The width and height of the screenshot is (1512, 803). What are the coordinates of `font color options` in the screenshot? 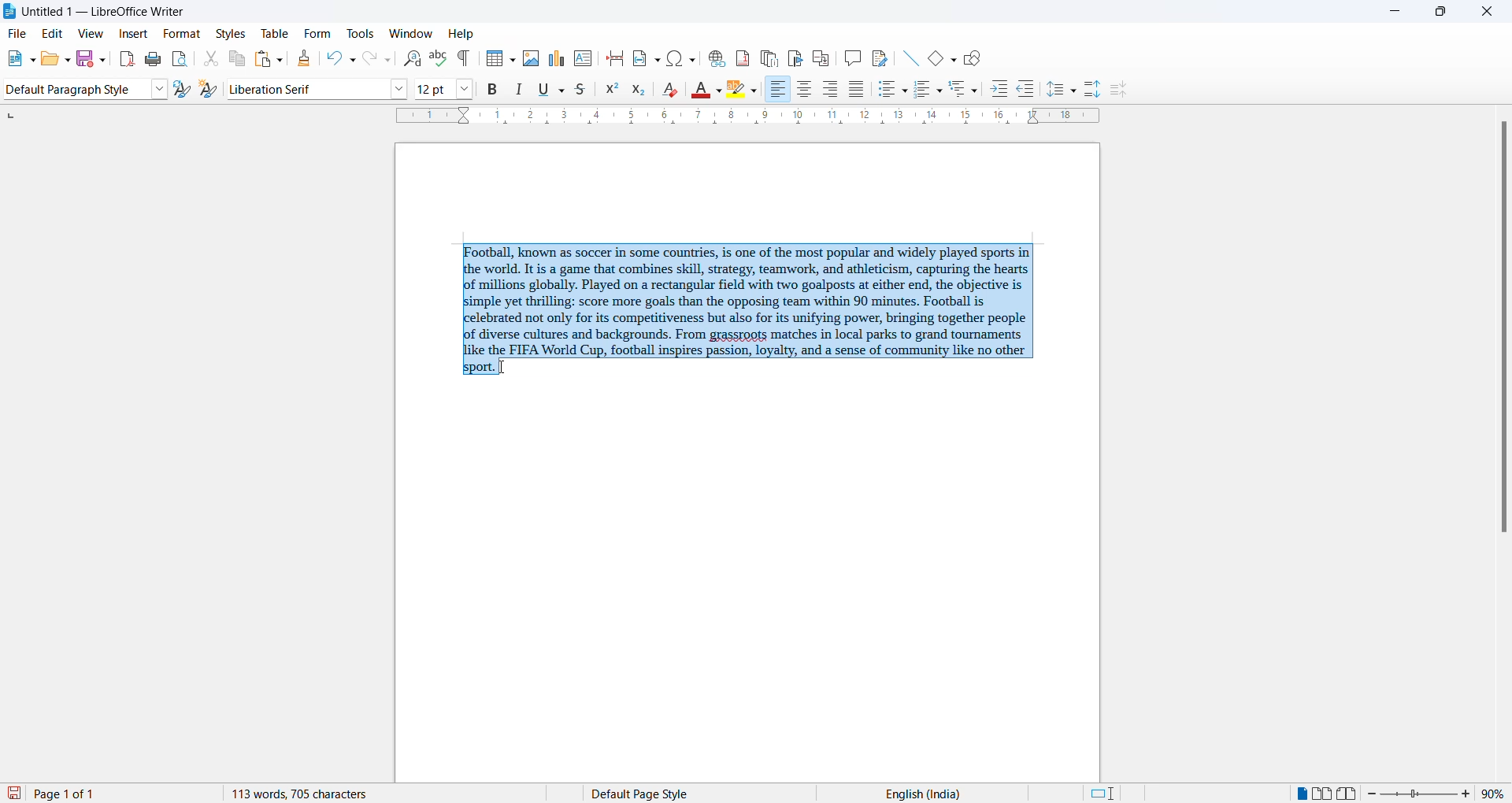 It's located at (720, 90).